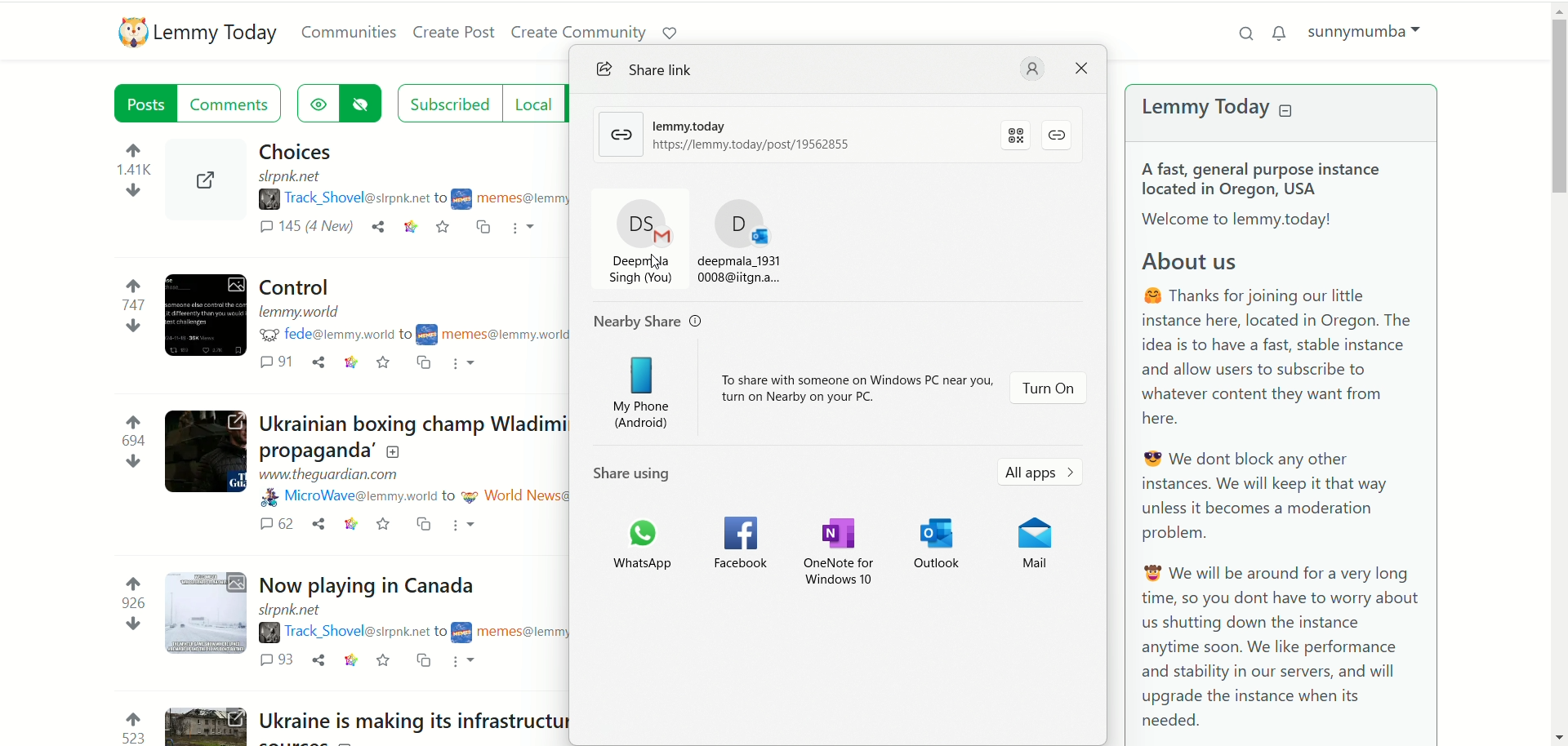  Describe the element at coordinates (352, 524) in the screenshot. I see `link` at that location.